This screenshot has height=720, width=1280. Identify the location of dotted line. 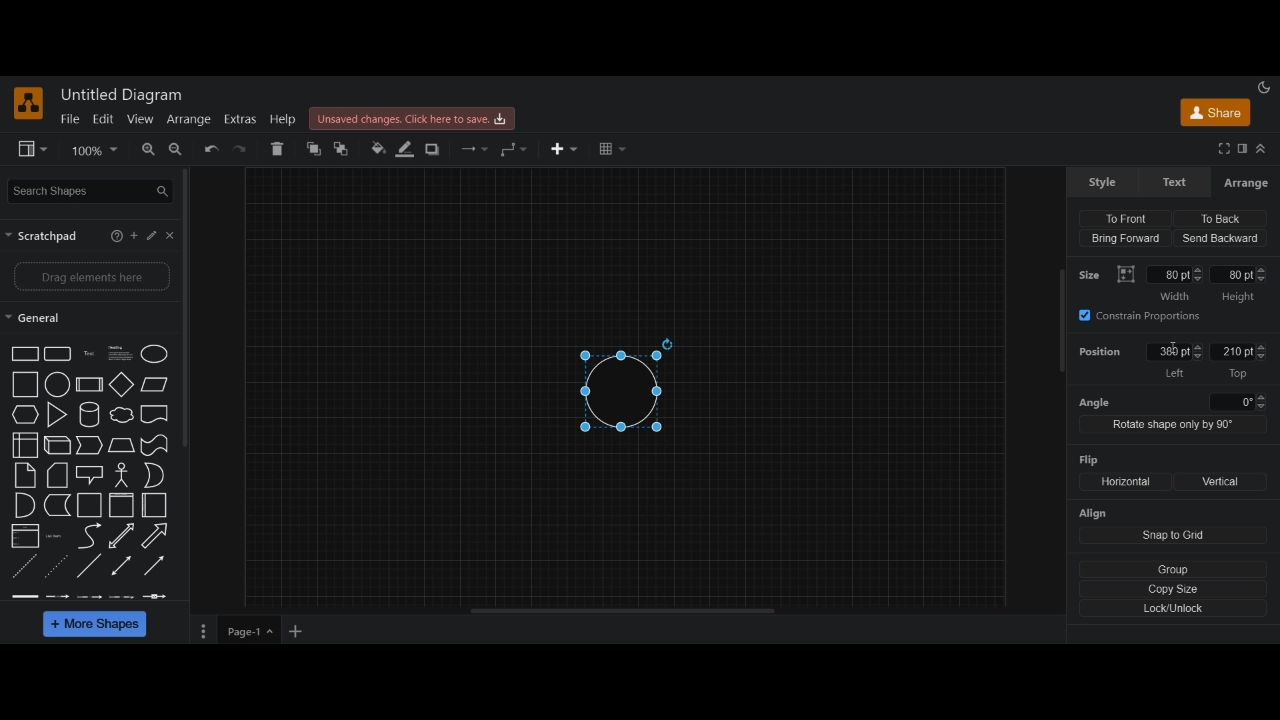
(58, 564).